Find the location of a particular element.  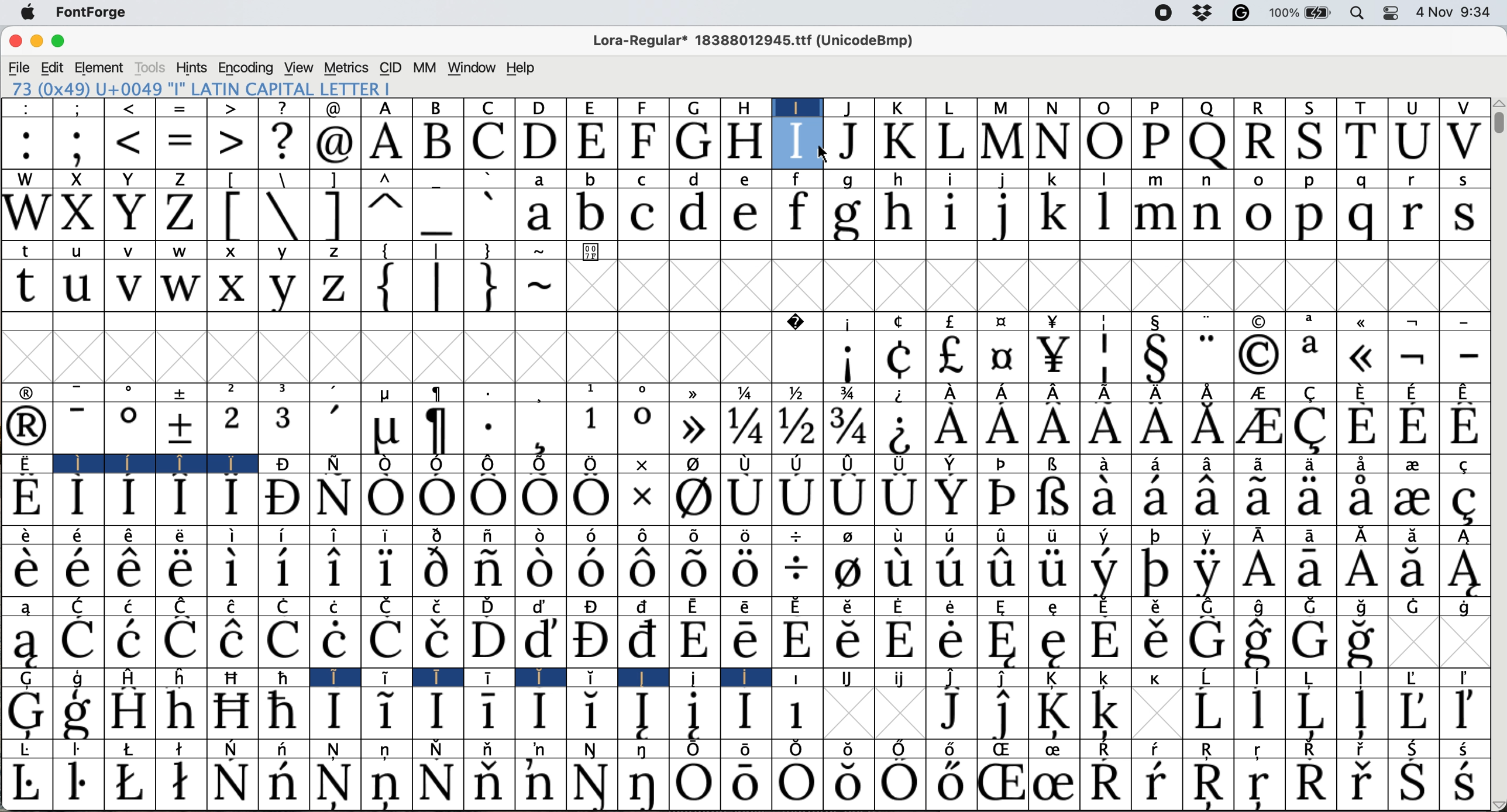

symbol is located at coordinates (697, 466).